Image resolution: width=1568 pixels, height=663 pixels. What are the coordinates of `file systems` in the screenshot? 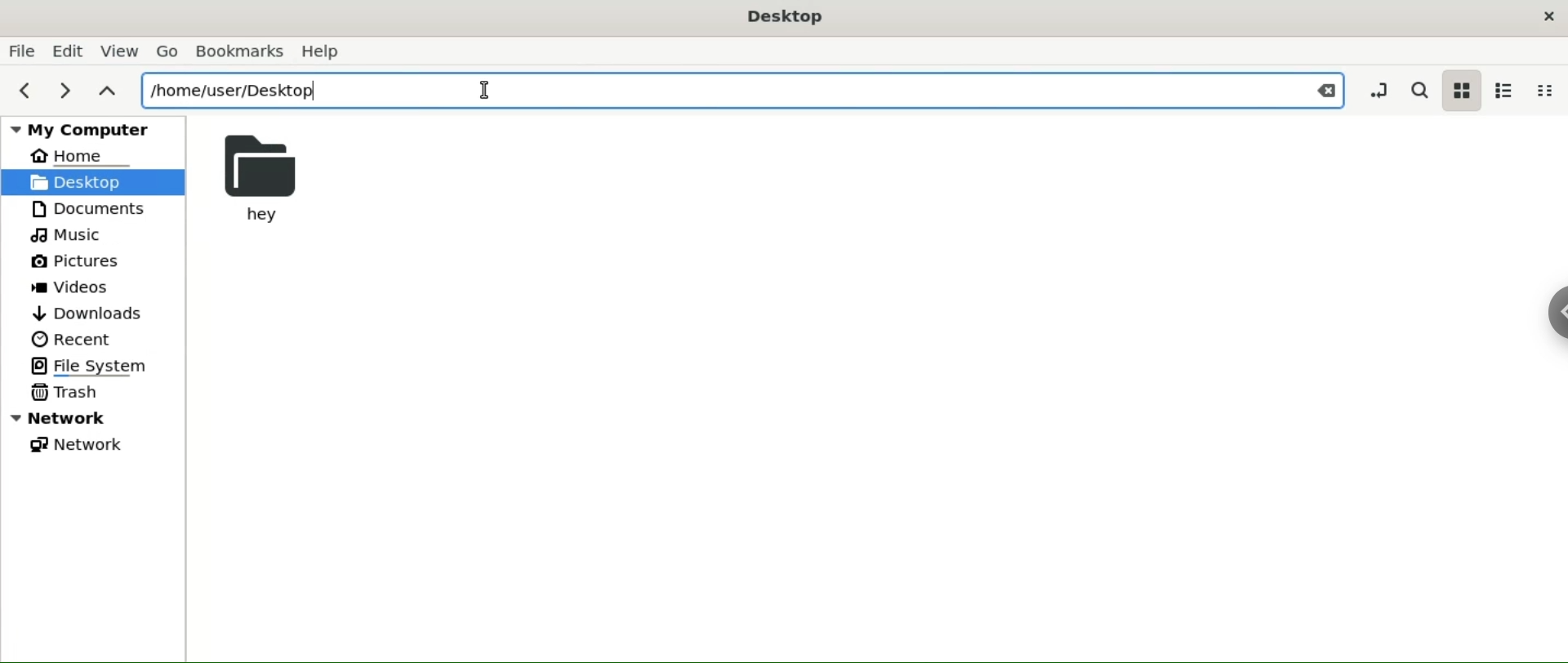 It's located at (104, 367).